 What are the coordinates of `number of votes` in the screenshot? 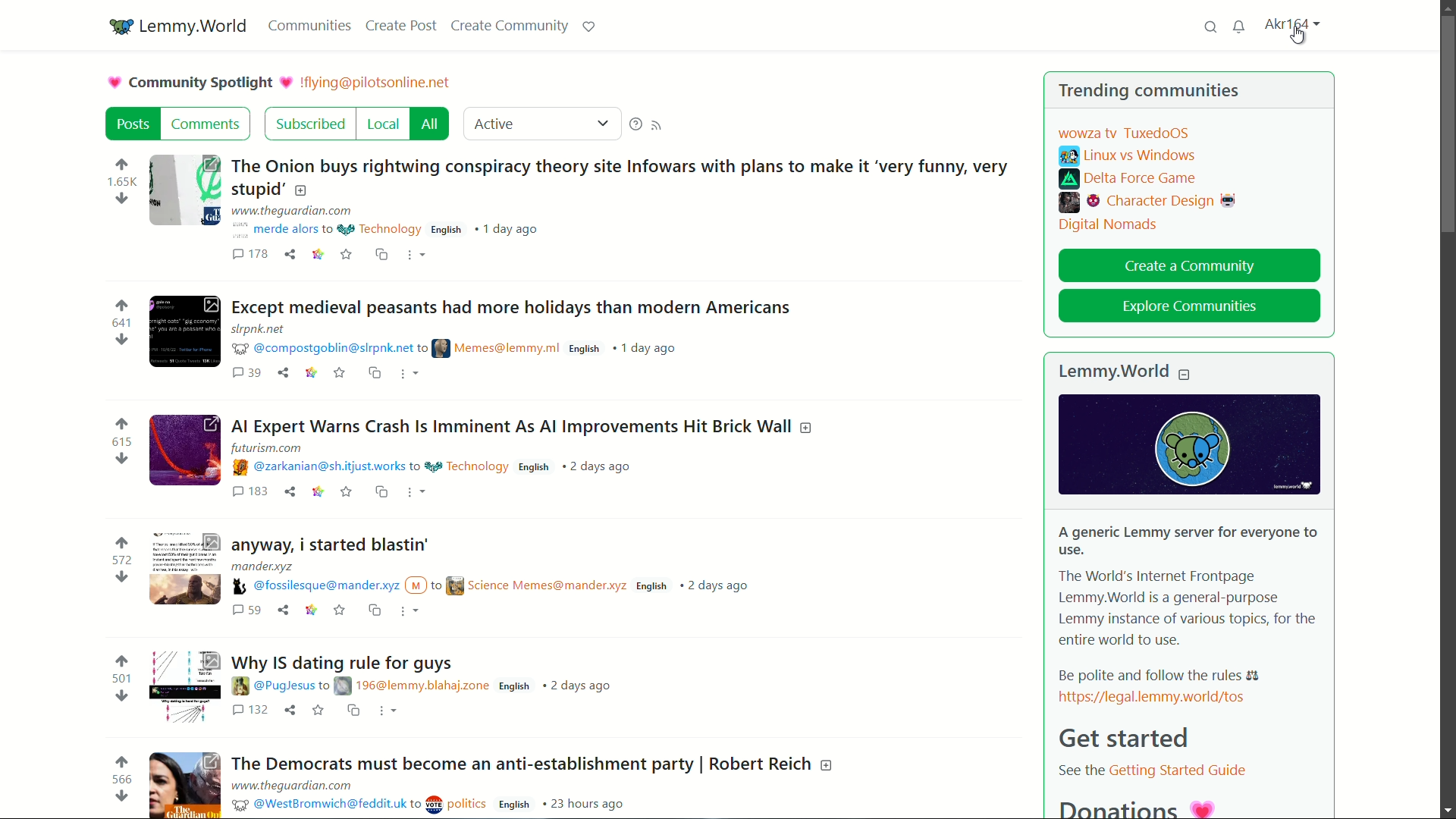 It's located at (122, 780).